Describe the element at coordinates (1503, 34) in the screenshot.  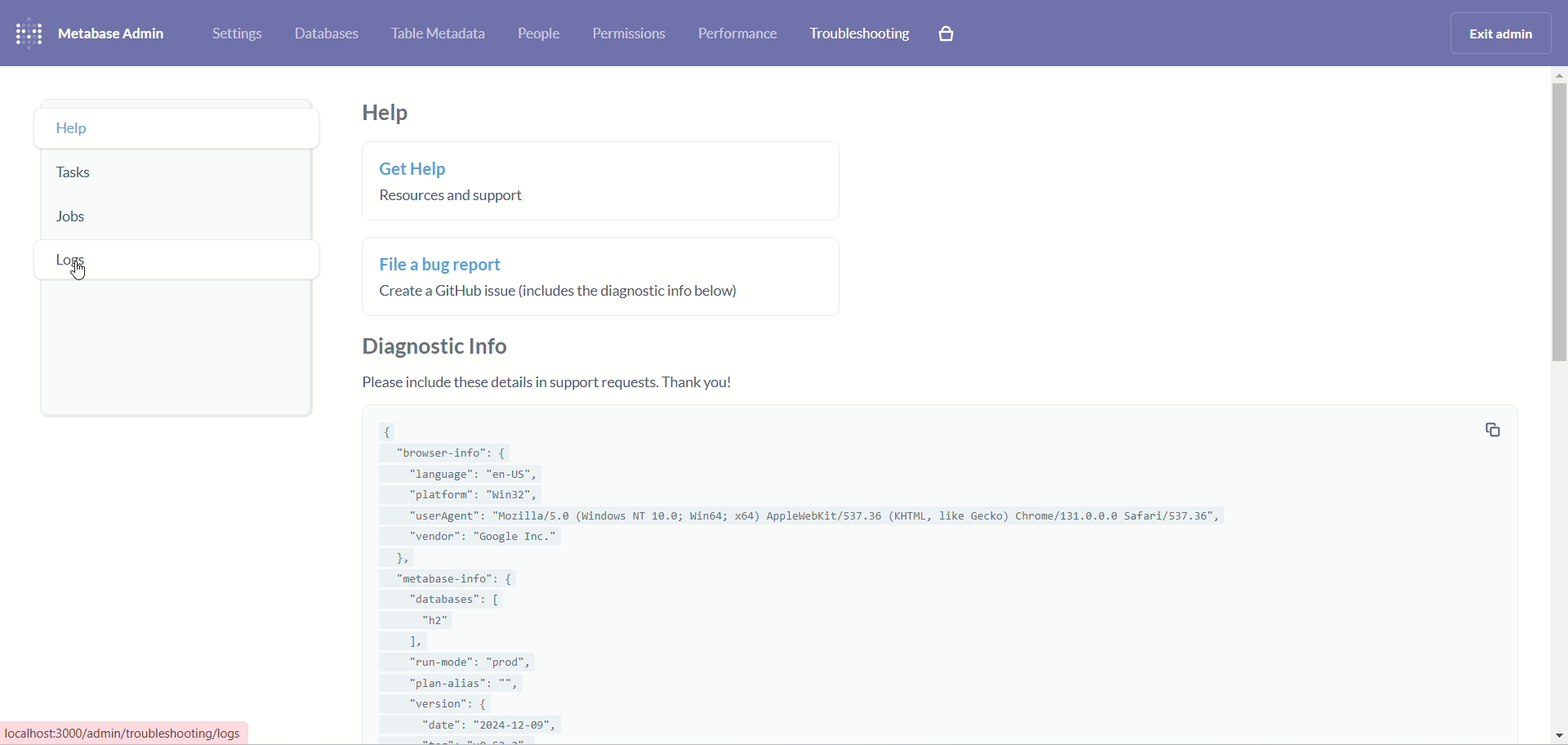
I see `exit admin` at that location.